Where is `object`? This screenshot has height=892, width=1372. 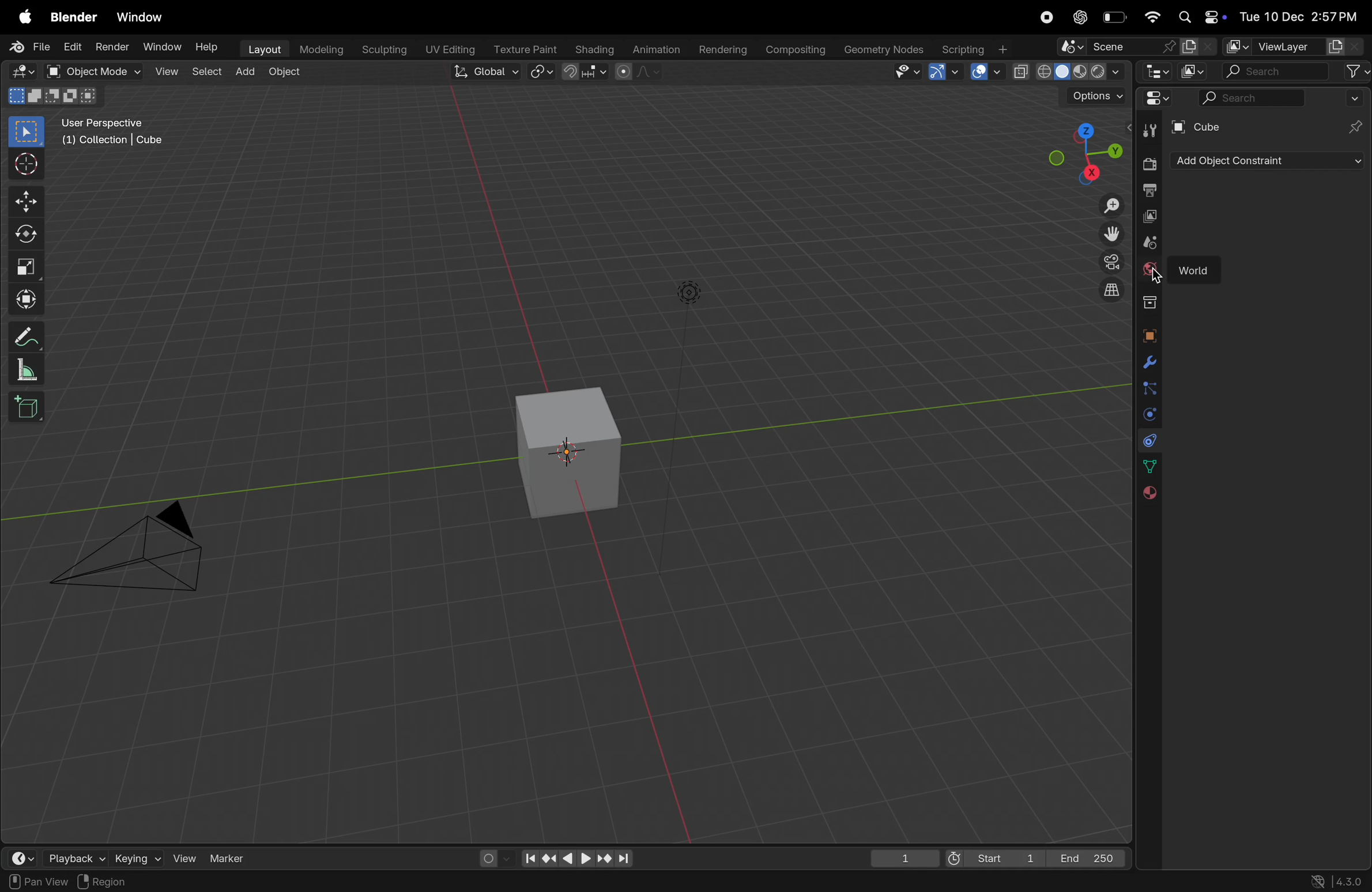
object is located at coordinates (1148, 333).